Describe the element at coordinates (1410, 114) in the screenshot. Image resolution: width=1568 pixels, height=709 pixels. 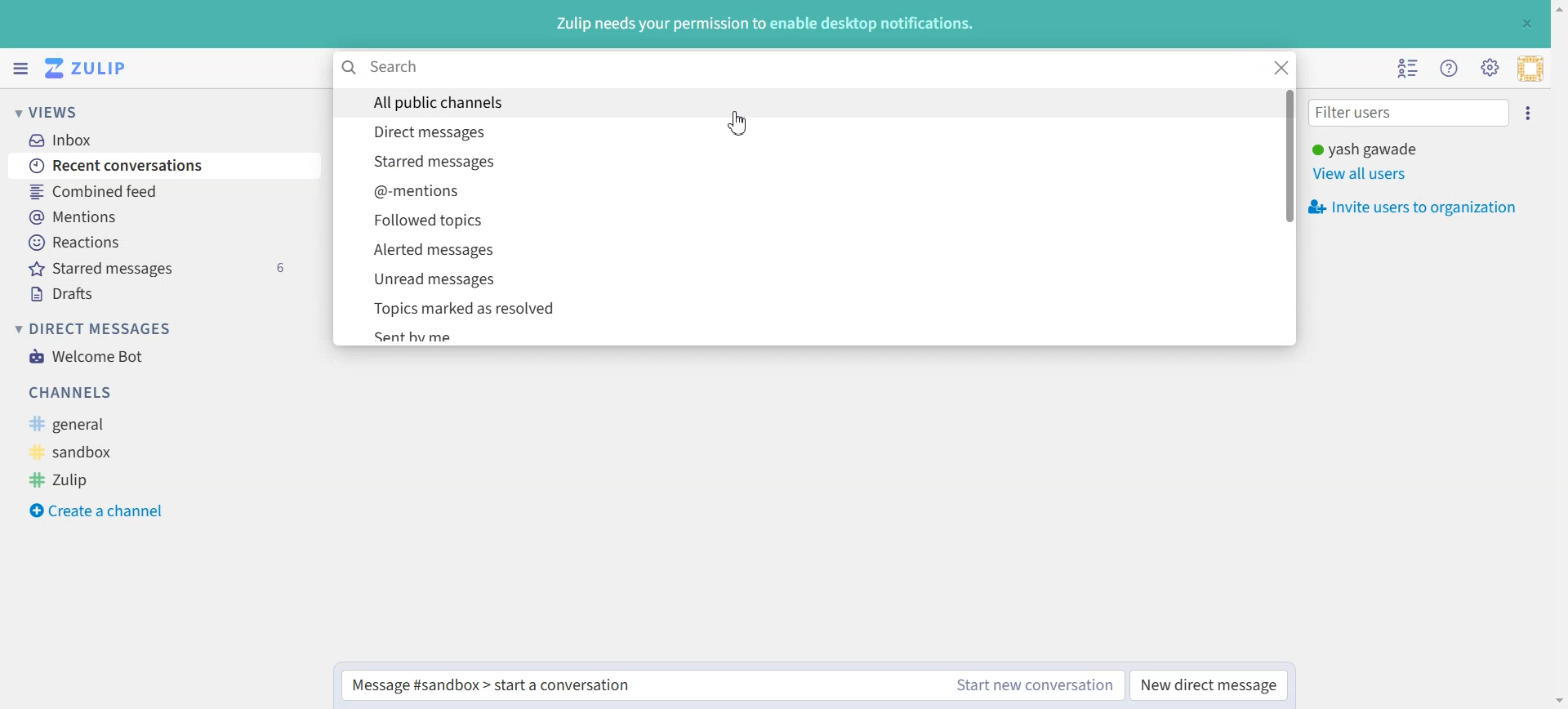
I see `Filter users` at that location.